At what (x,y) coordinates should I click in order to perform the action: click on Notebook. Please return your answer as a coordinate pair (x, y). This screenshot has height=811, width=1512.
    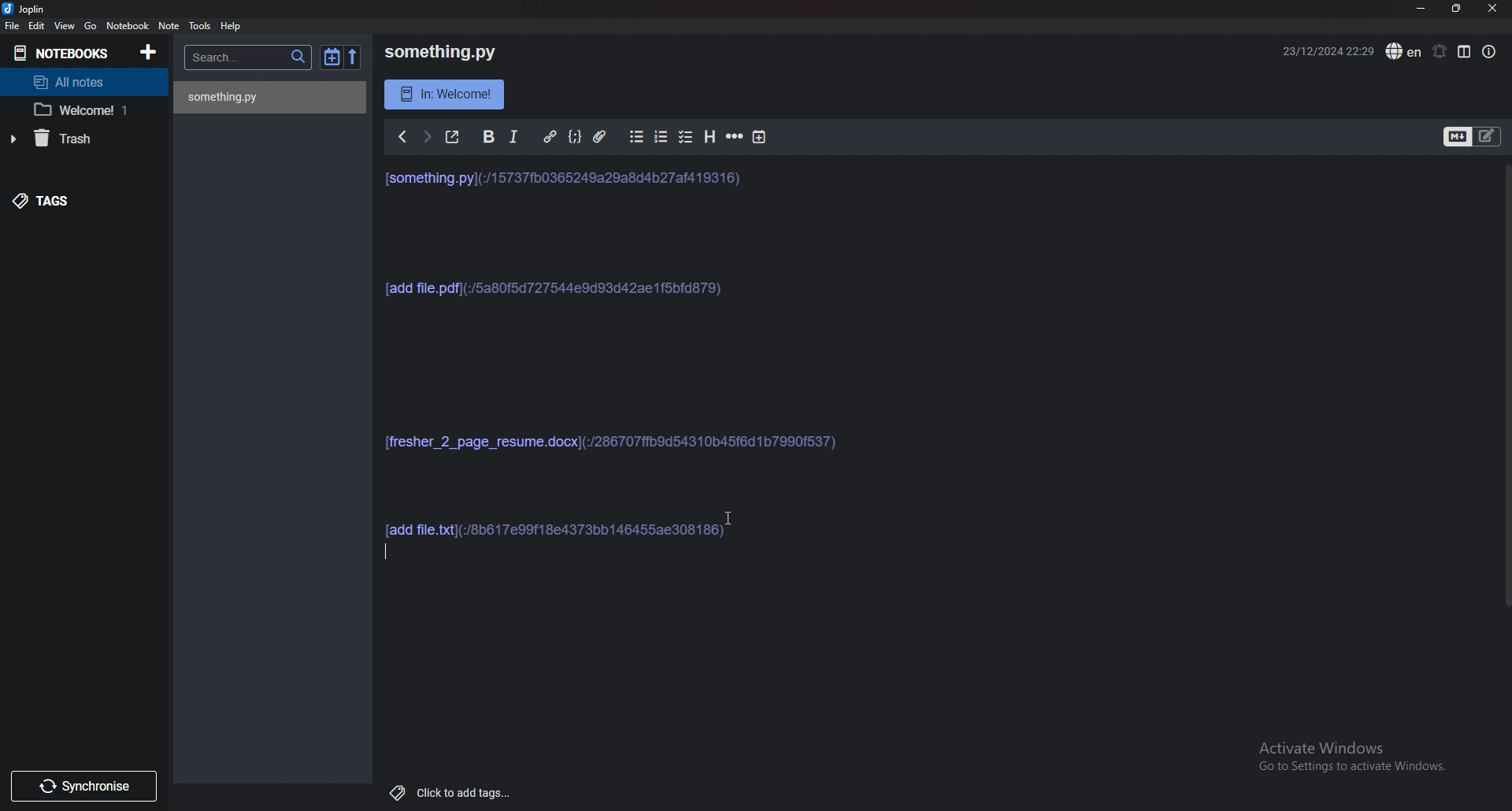
    Looking at the image, I should click on (128, 25).